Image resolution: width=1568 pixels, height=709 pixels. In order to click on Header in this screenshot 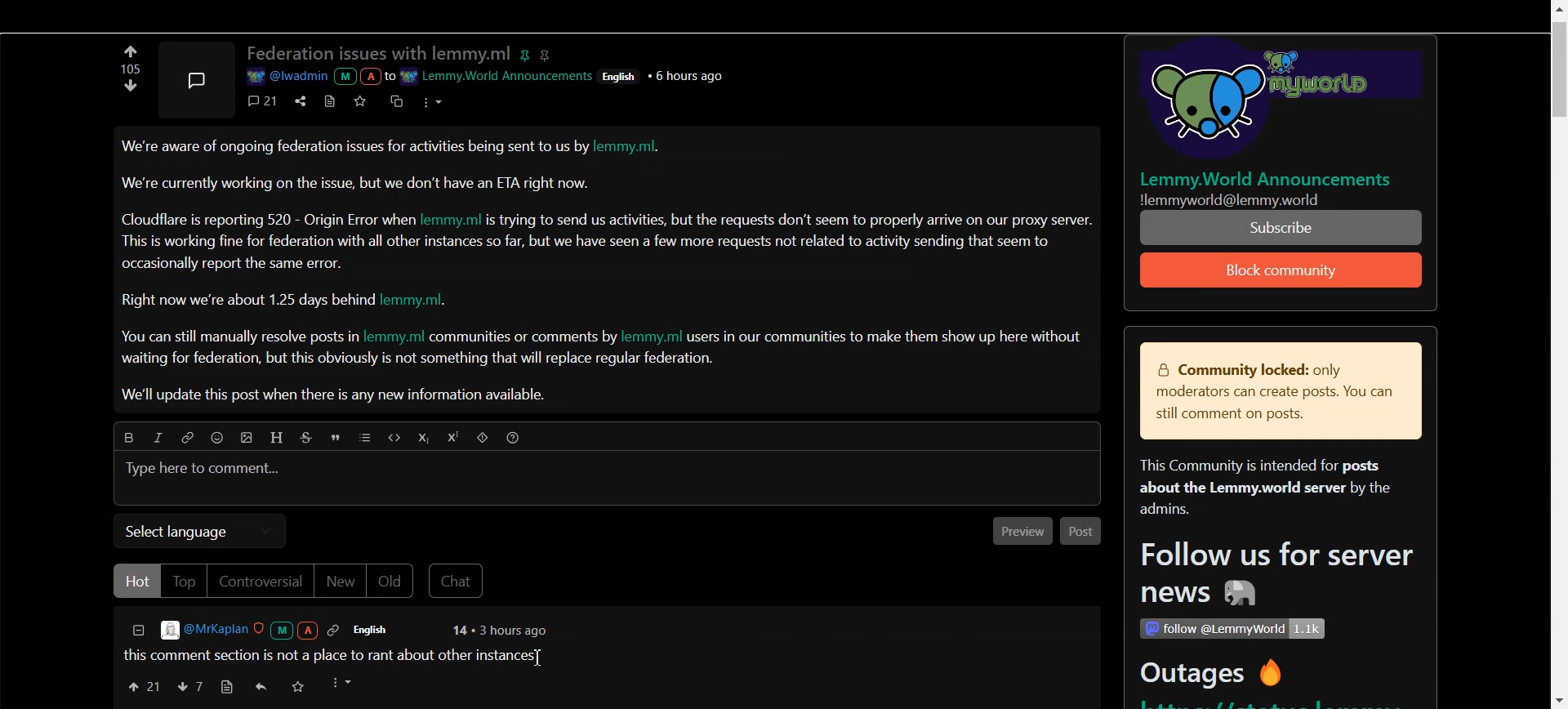, I will do `click(278, 437)`.